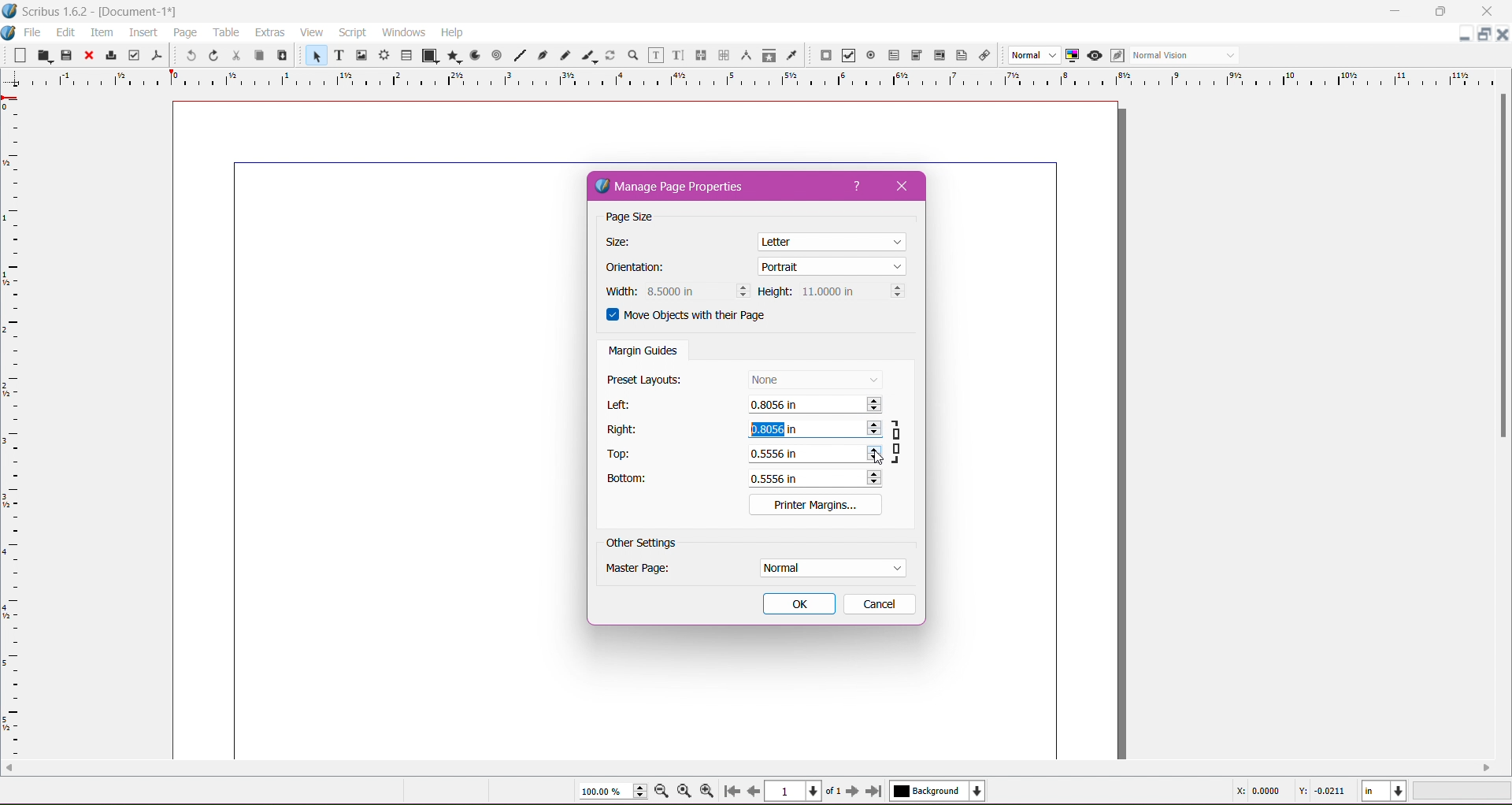 The height and width of the screenshot is (805, 1512). What do you see at coordinates (831, 568) in the screenshot?
I see `Set Master Page Settings` at bounding box center [831, 568].